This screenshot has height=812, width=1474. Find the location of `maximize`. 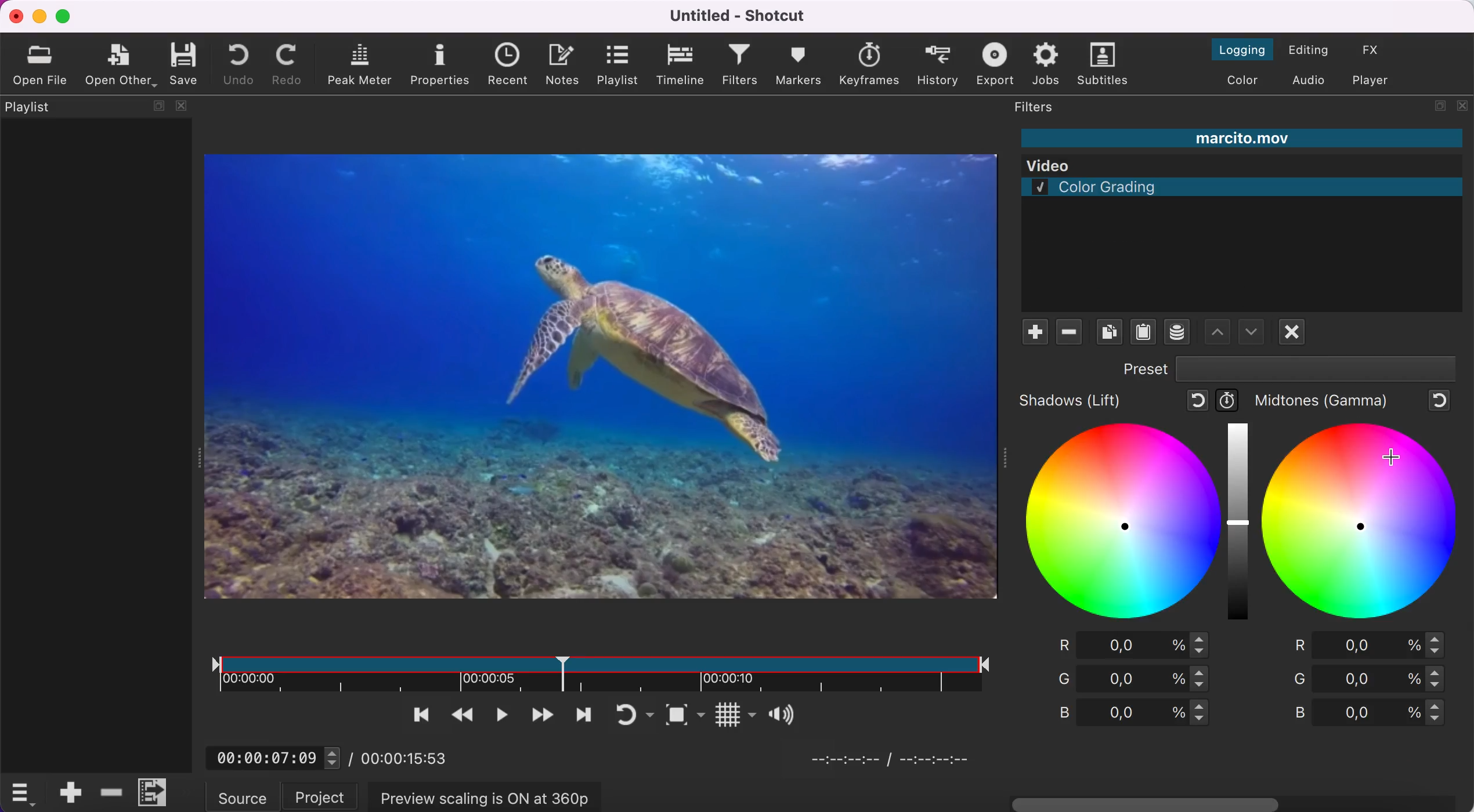

maximize is located at coordinates (68, 17).